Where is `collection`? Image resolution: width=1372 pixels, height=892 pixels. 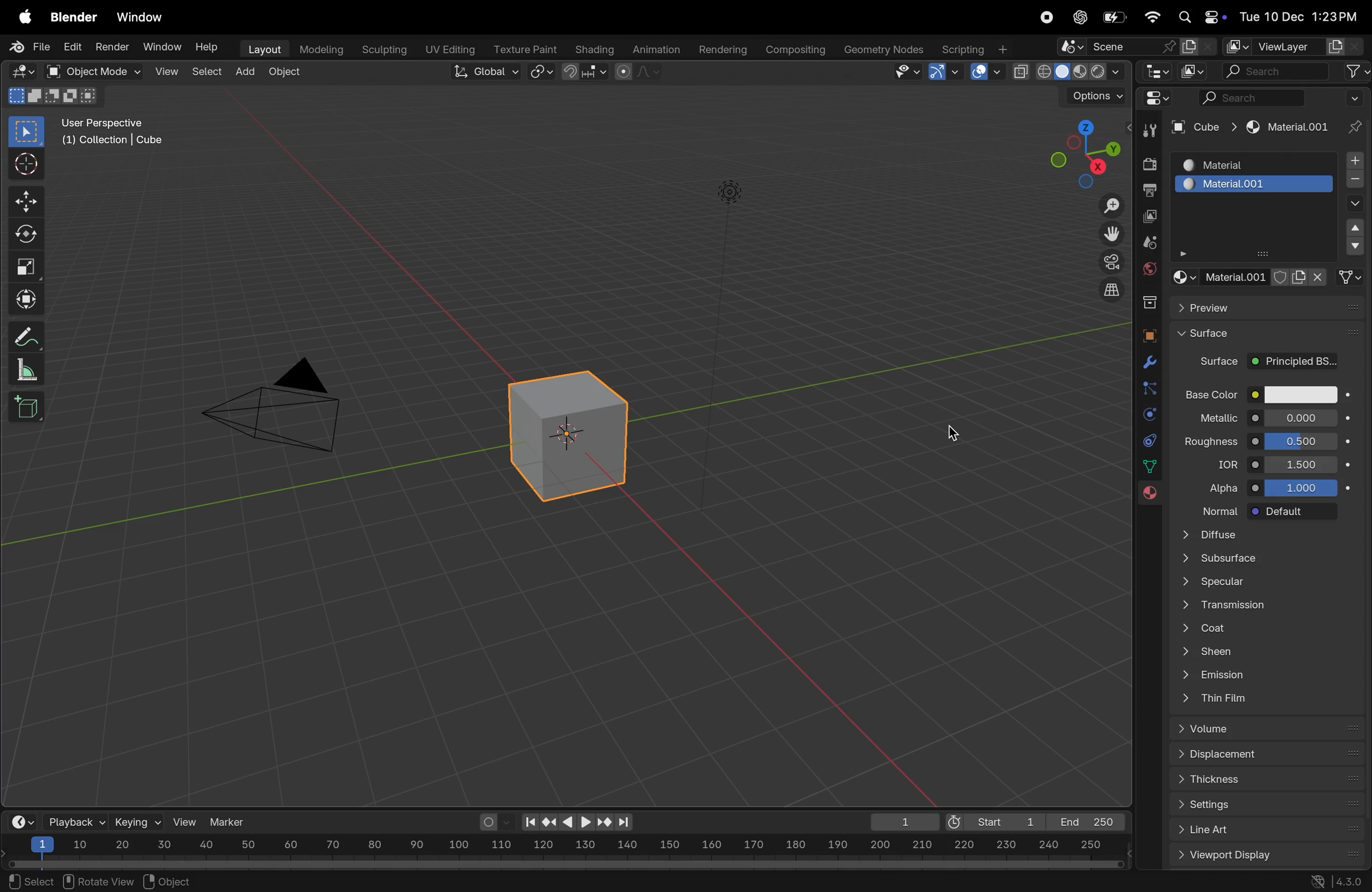
collection is located at coordinates (1147, 300).